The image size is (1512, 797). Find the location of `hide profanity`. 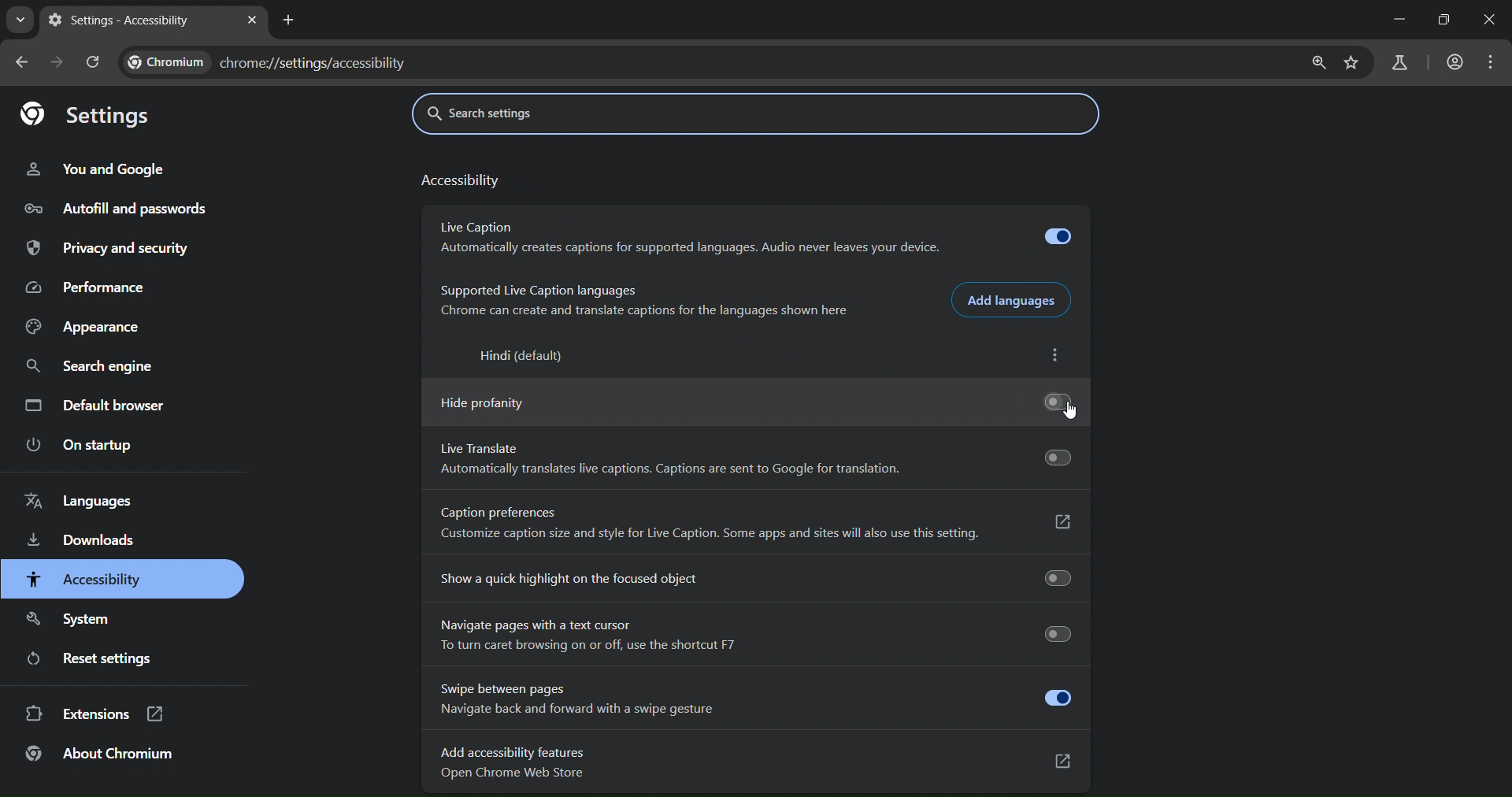

hide profanity is located at coordinates (755, 404).